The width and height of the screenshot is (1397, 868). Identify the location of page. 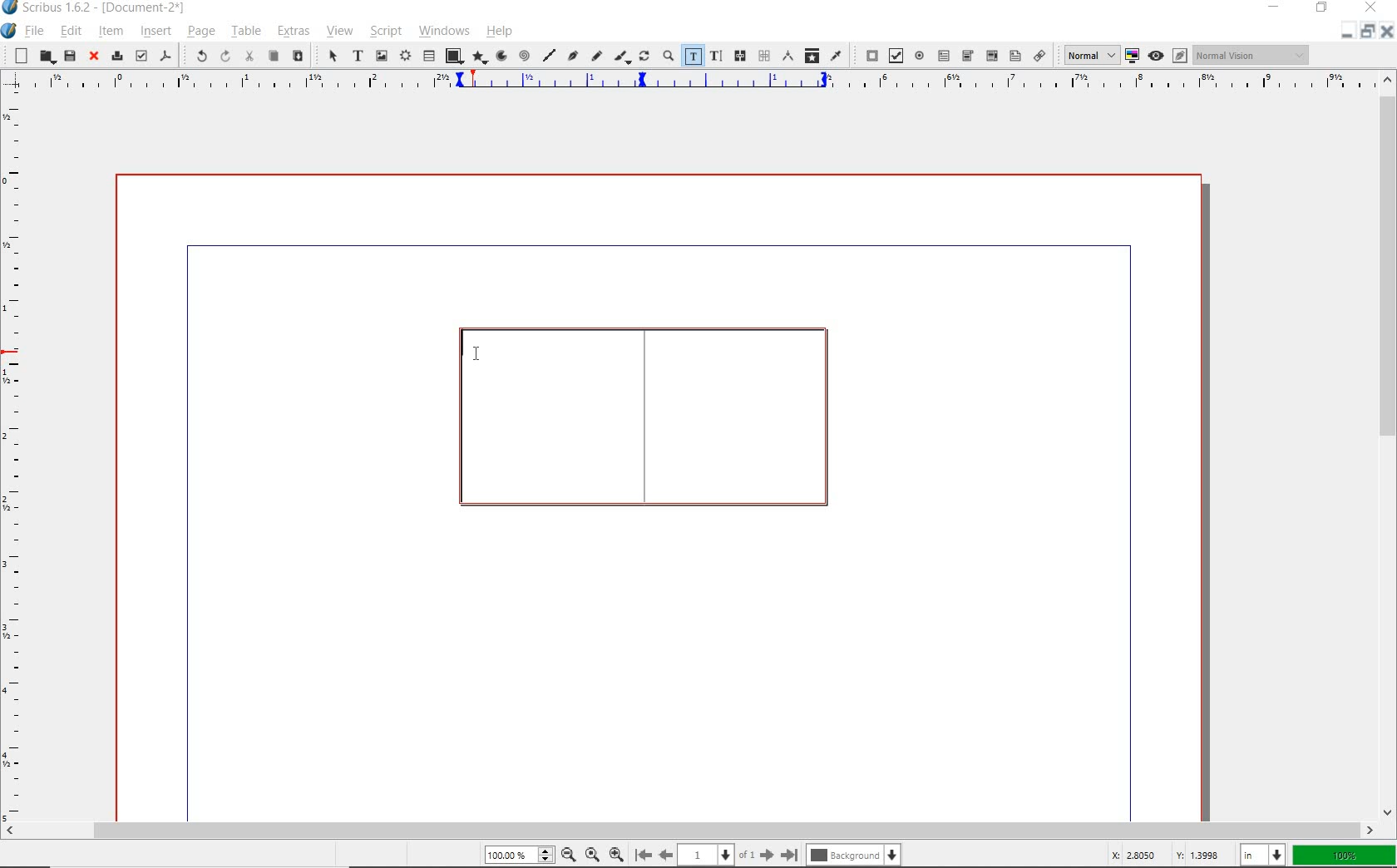
(199, 32).